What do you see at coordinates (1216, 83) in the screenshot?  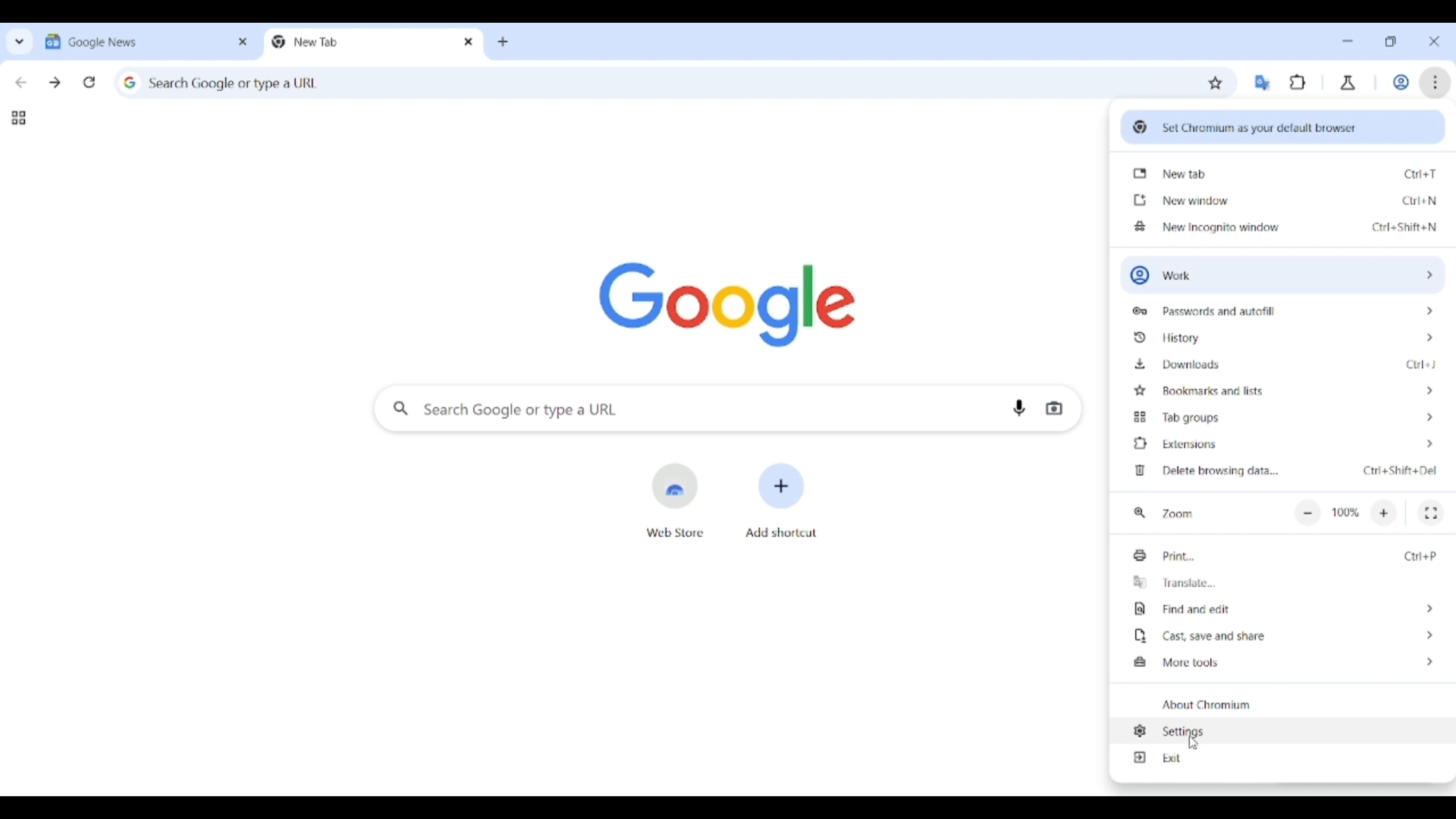 I see `Bookmark this tab` at bounding box center [1216, 83].